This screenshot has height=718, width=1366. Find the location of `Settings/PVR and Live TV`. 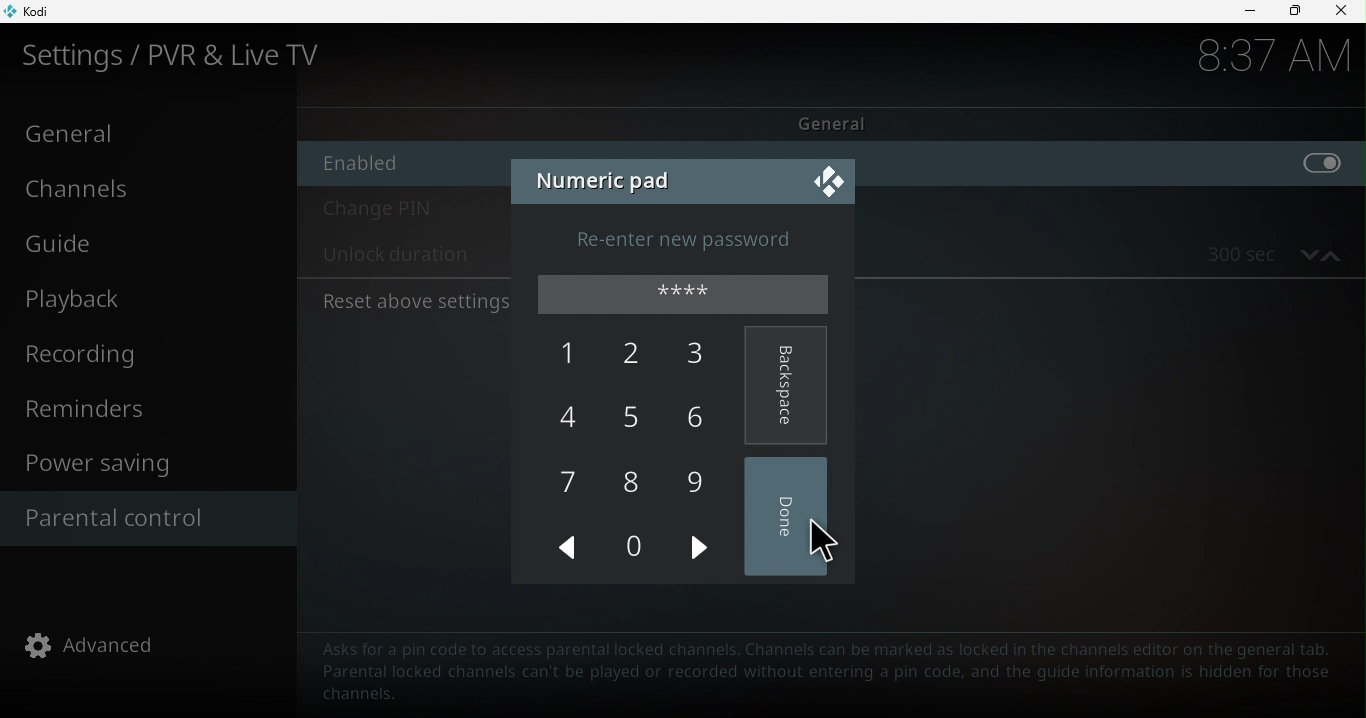

Settings/PVR and Live TV is located at coordinates (187, 56).